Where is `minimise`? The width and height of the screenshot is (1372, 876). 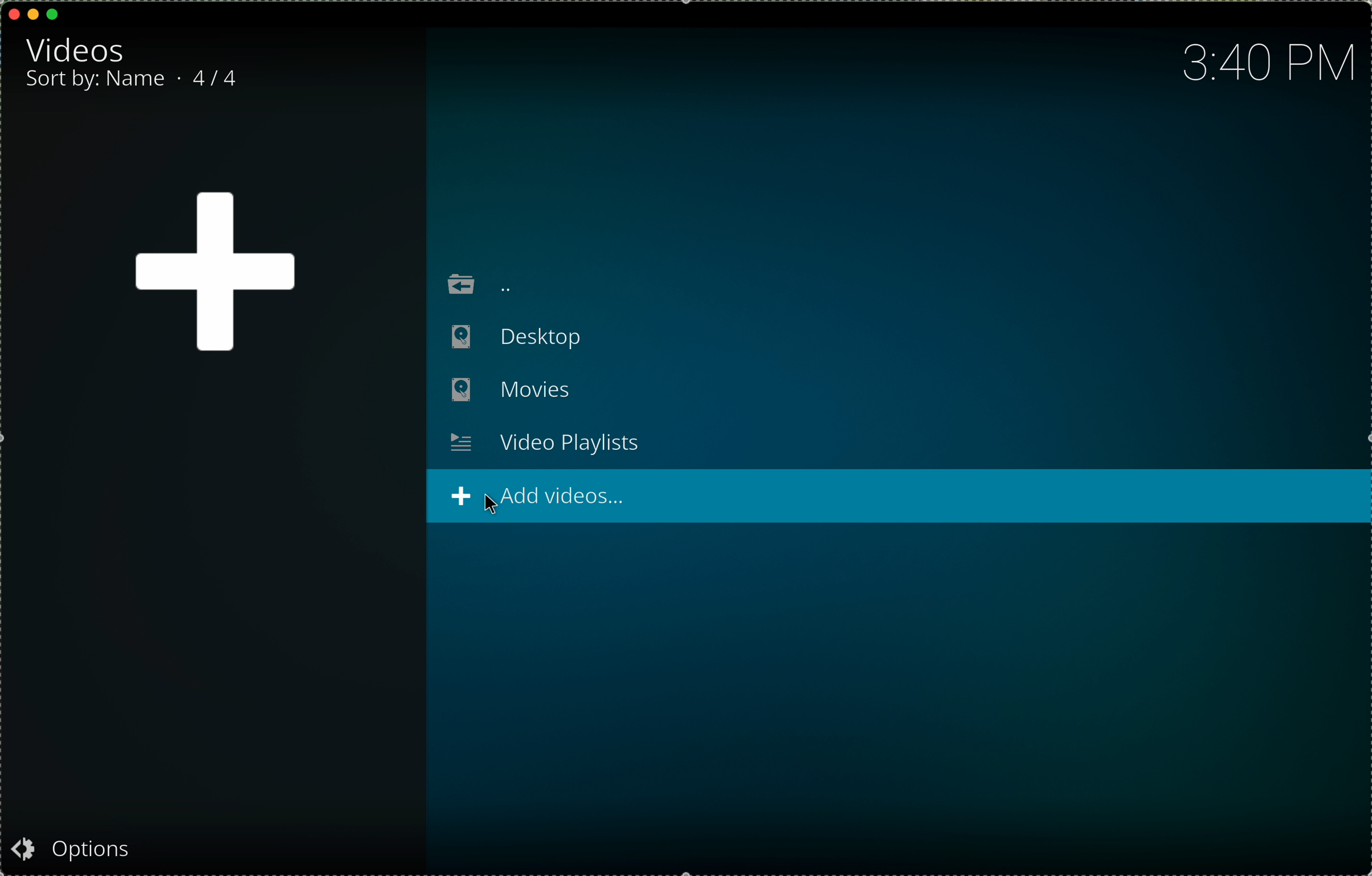 minimise is located at coordinates (33, 13).